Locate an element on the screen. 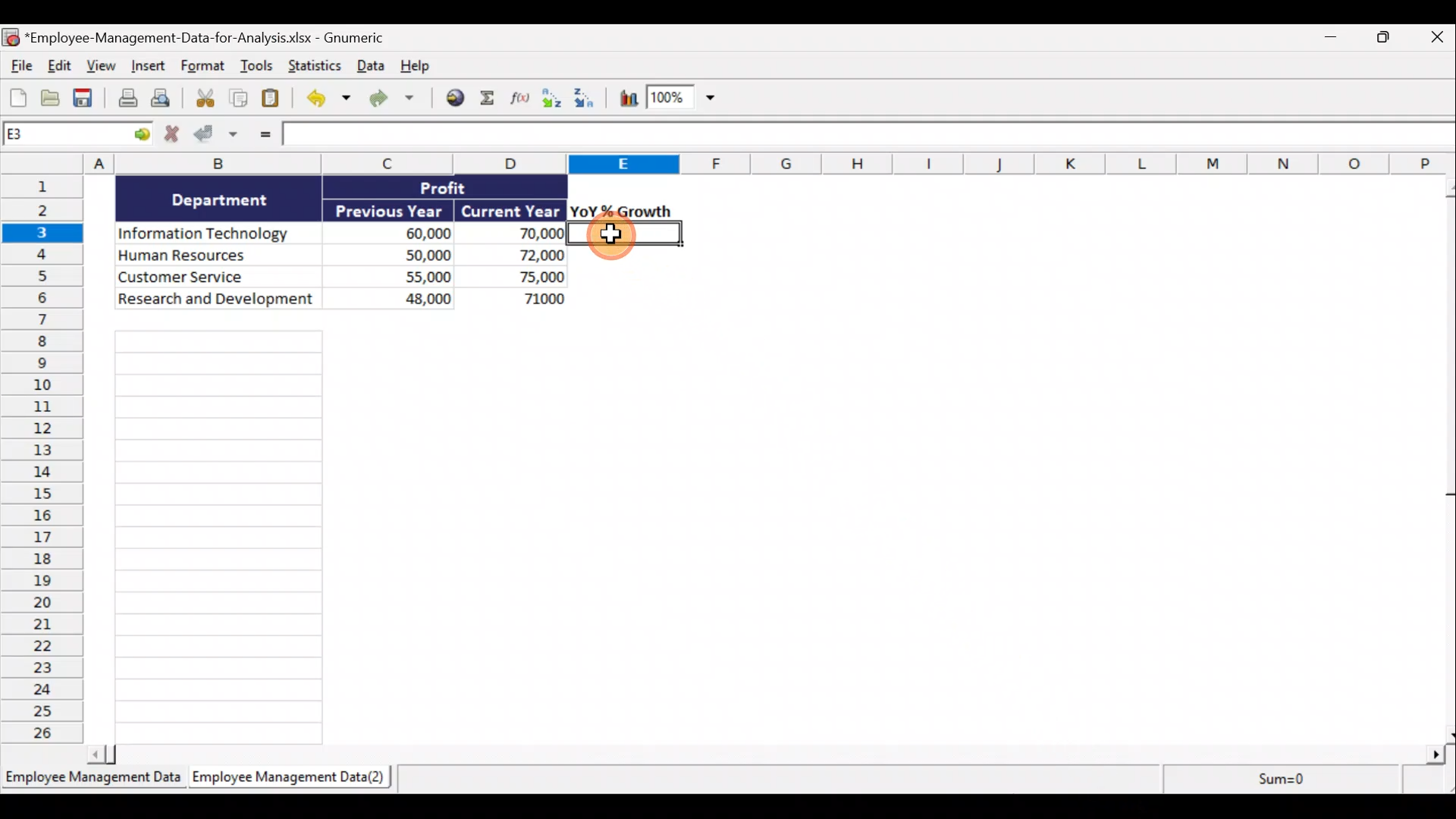 Image resolution: width=1456 pixels, height=819 pixels. Sheet 2 is located at coordinates (284, 778).